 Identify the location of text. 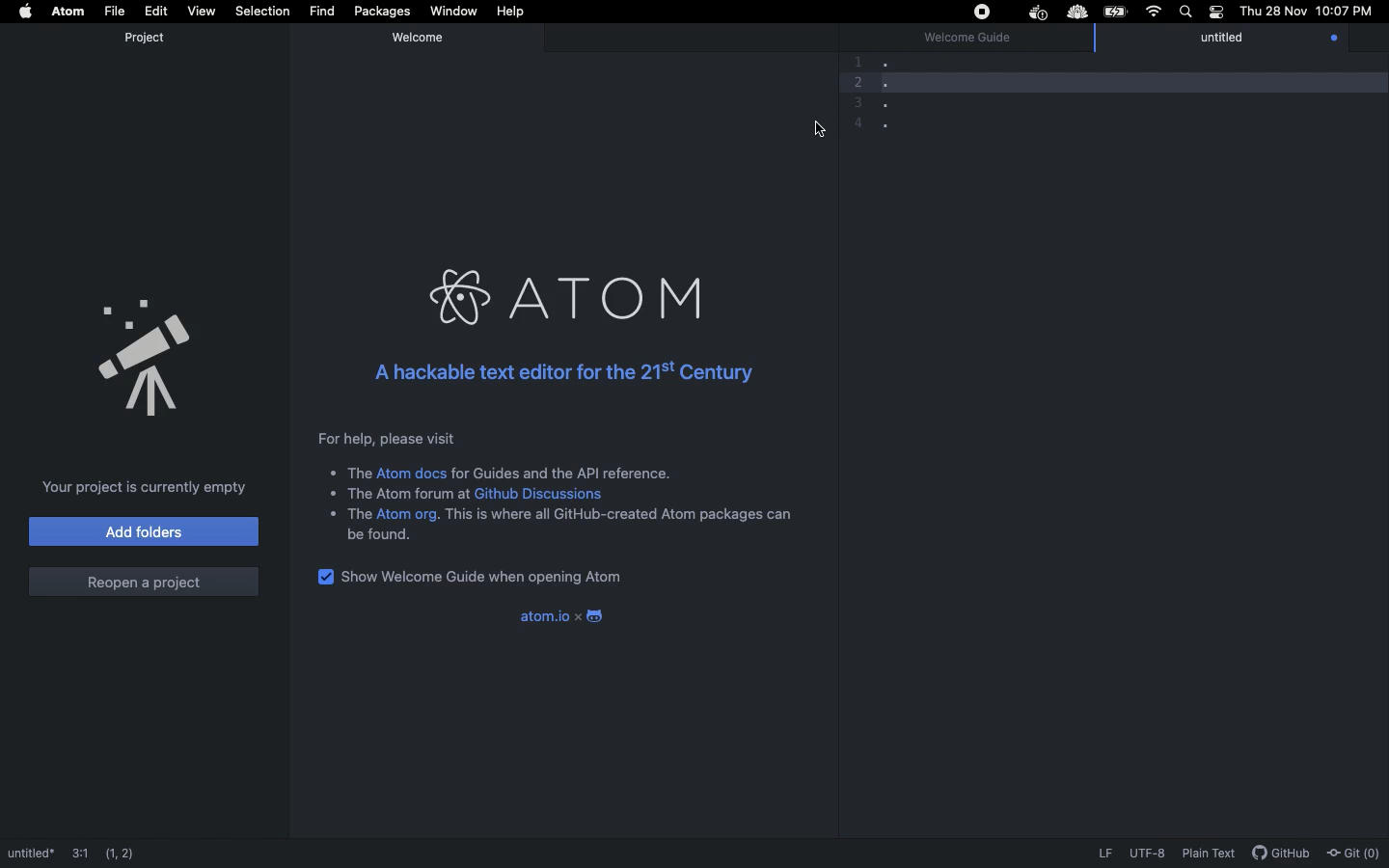
(382, 535).